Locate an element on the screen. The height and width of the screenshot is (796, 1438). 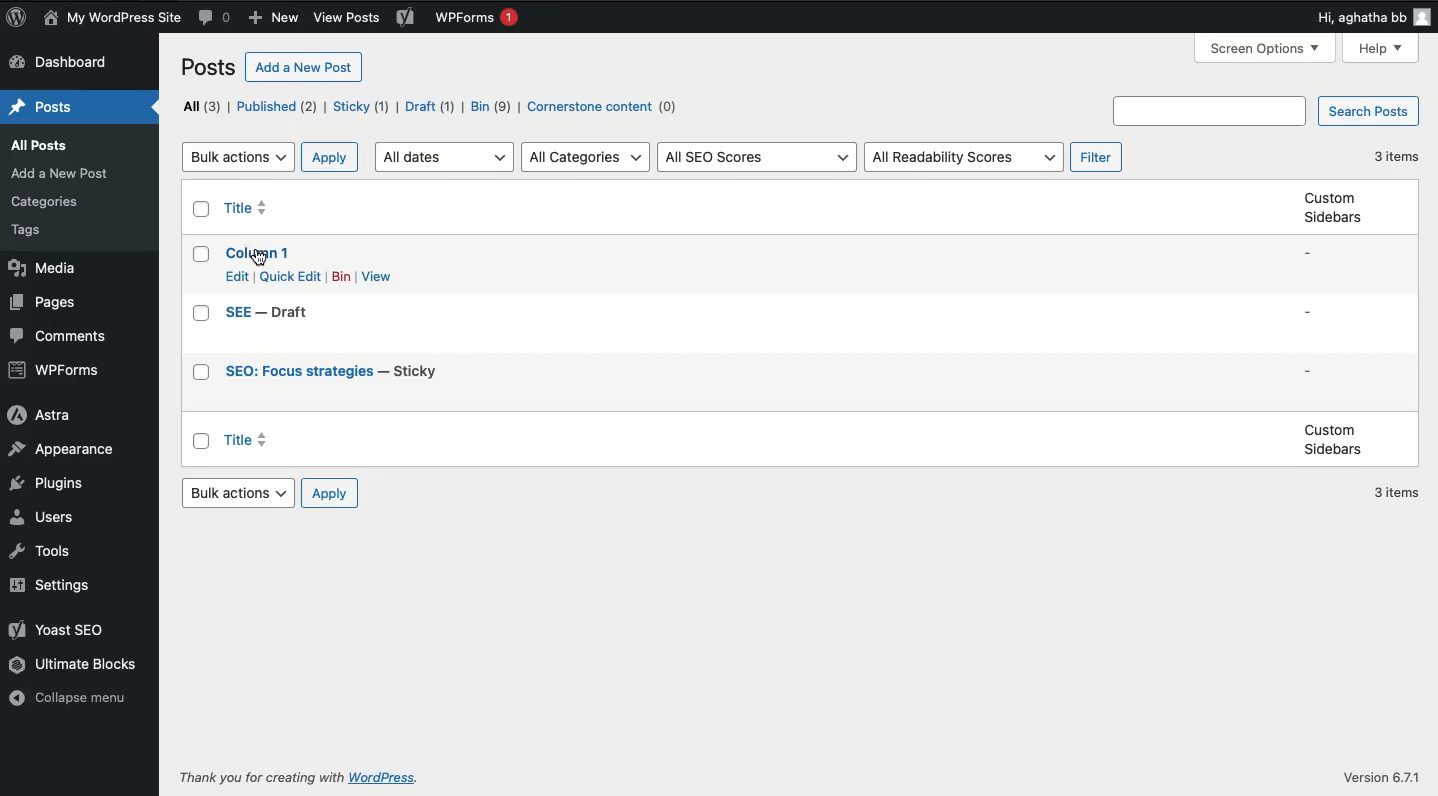
Thank you for creating with is located at coordinates (261, 777).